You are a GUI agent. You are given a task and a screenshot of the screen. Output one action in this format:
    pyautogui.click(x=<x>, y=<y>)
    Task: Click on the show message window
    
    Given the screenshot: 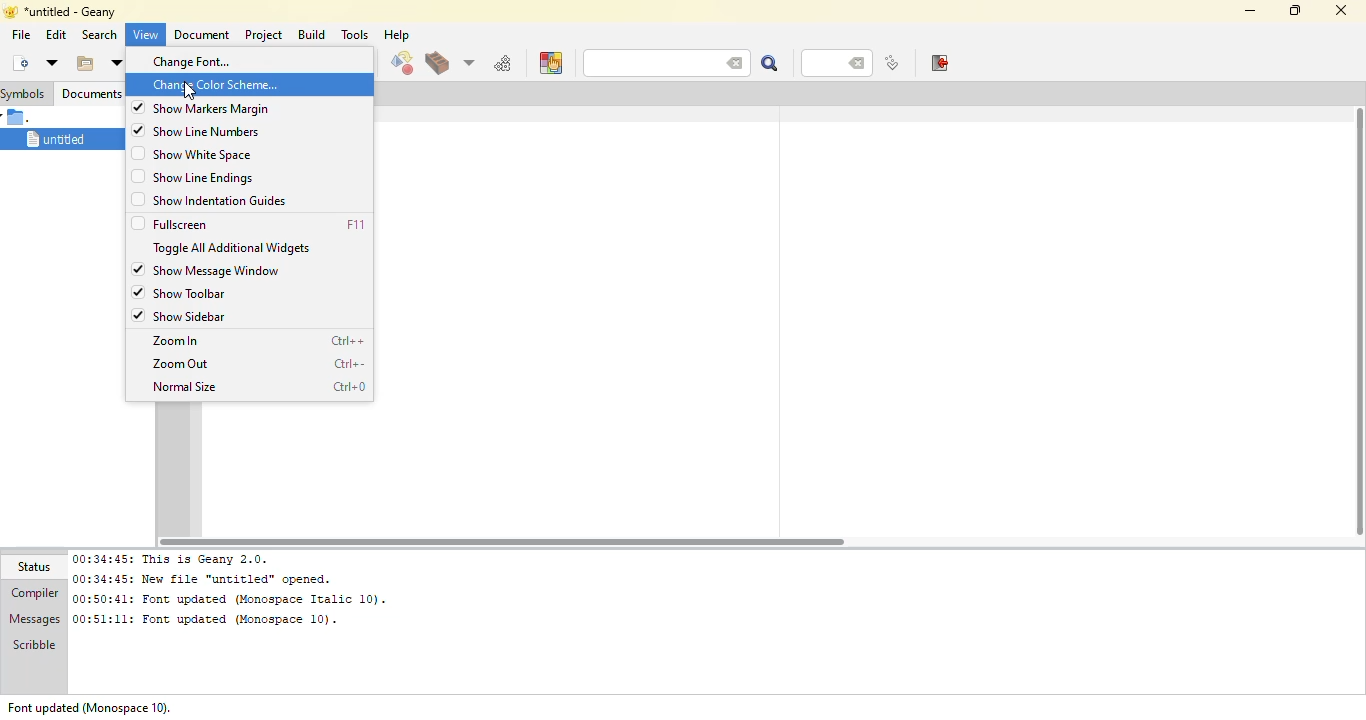 What is the action you would take?
    pyautogui.click(x=219, y=270)
    